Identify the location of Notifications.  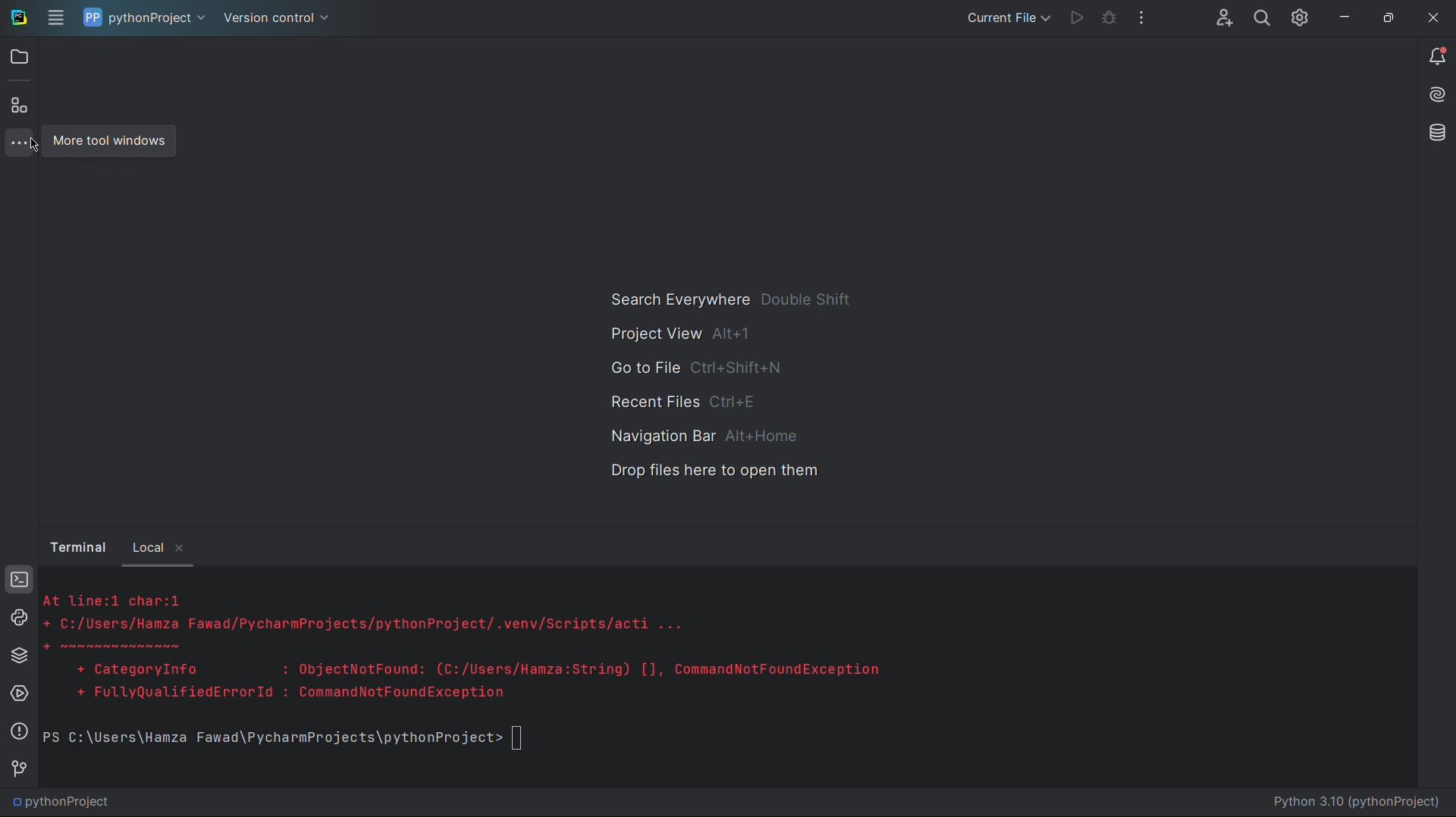
(1439, 58).